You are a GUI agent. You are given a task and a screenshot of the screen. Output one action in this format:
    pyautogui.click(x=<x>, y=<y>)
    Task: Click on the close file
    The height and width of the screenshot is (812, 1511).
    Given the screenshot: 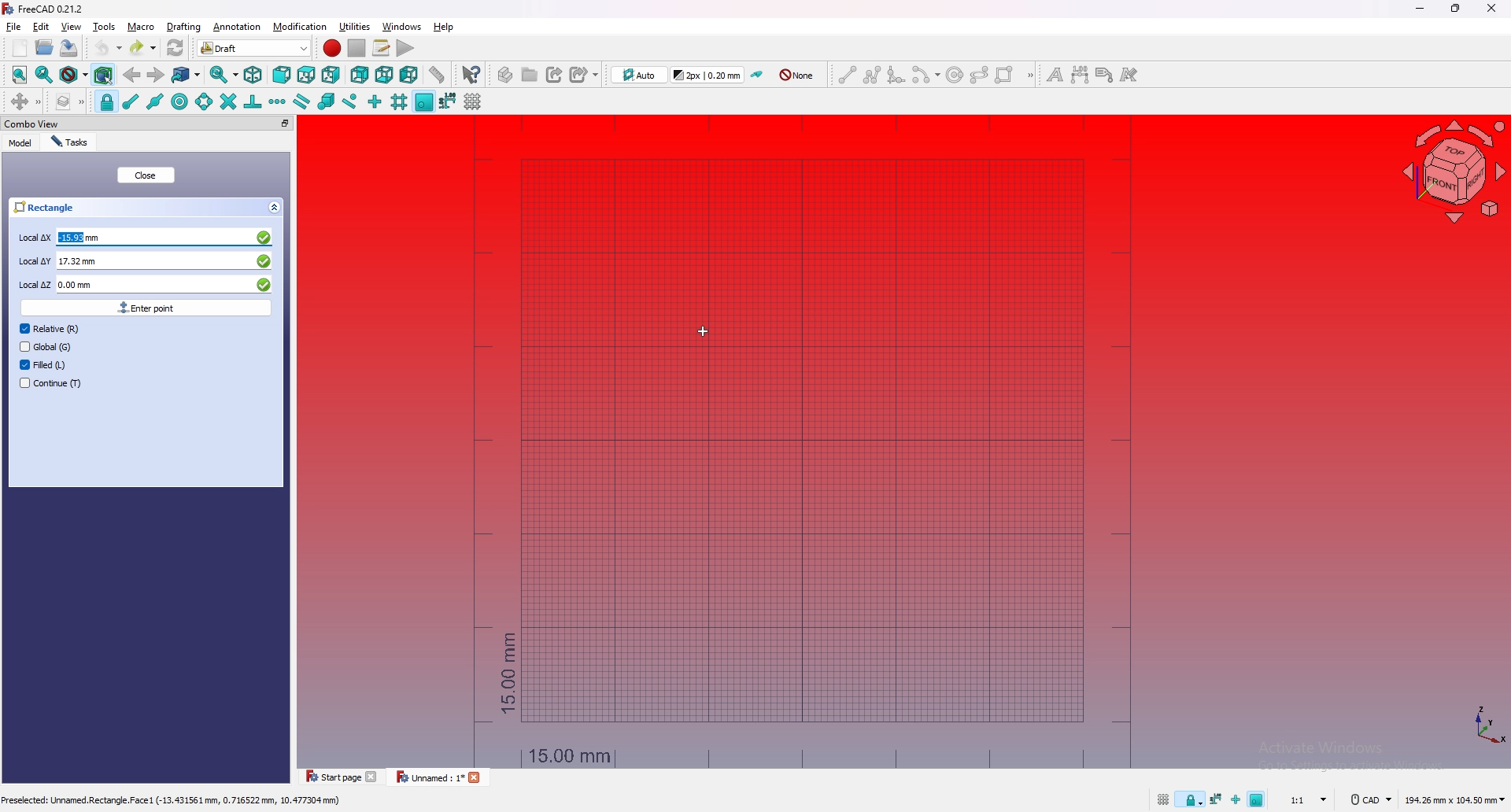 What is the action you would take?
    pyautogui.click(x=478, y=779)
    